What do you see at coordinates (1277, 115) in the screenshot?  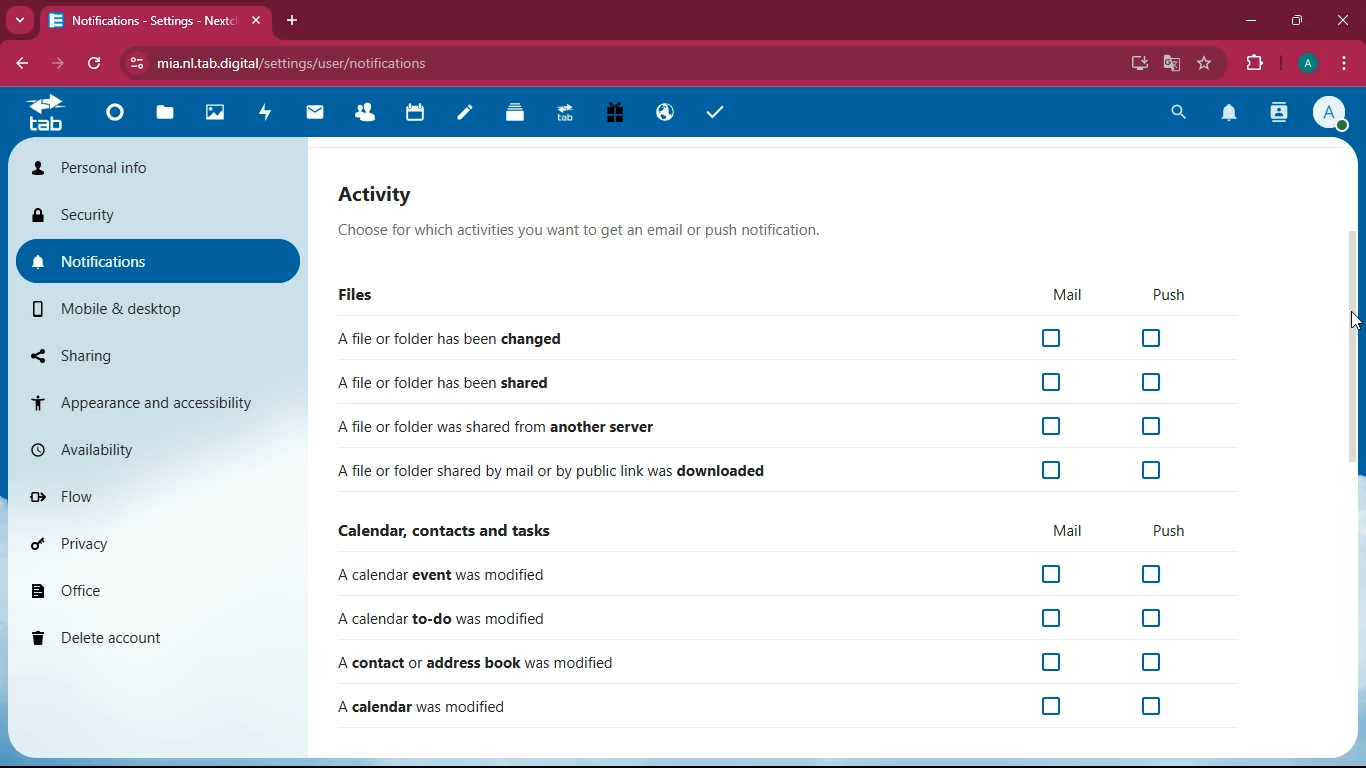 I see `contacts` at bounding box center [1277, 115].